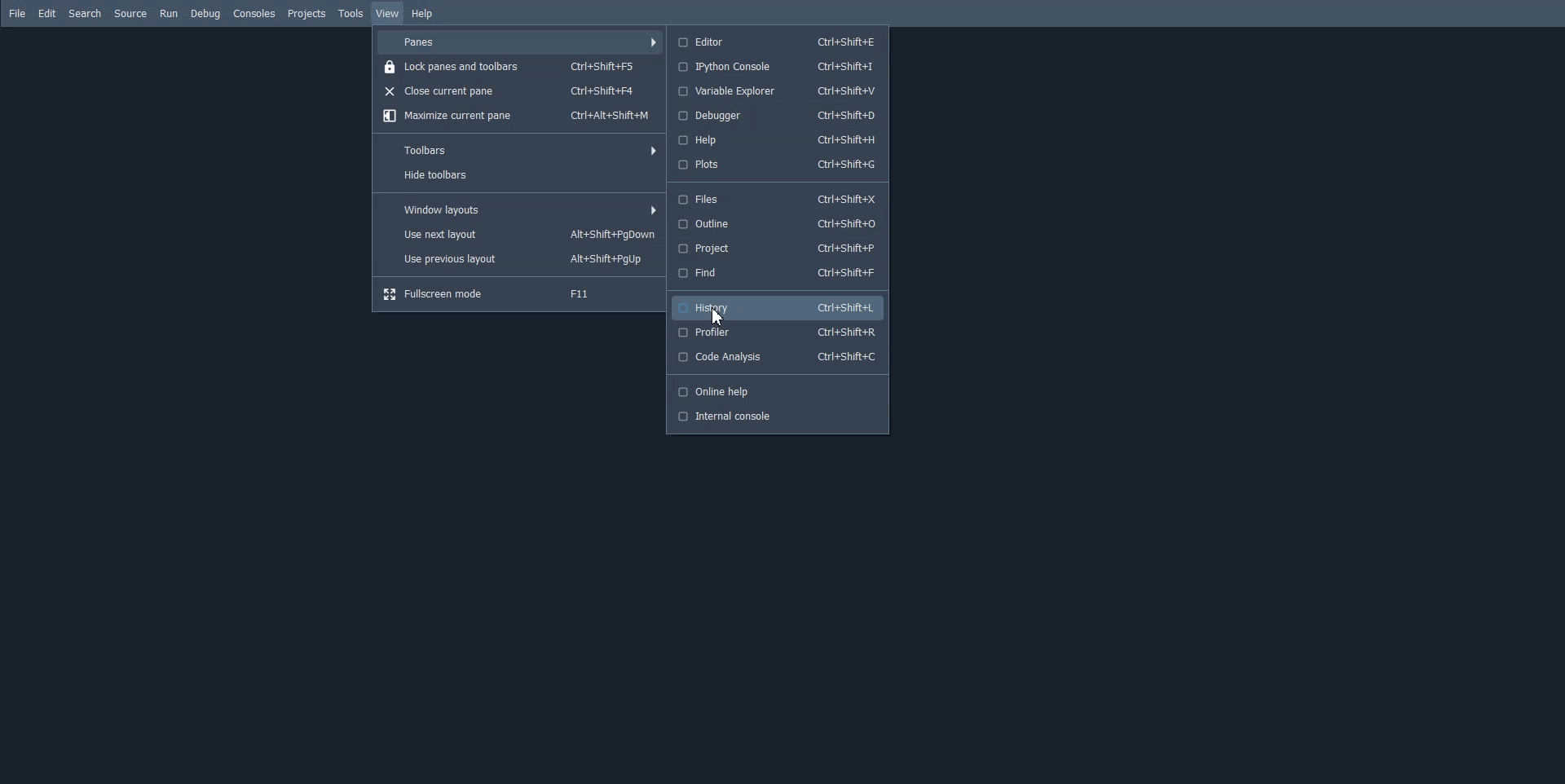 The width and height of the screenshot is (1565, 784). I want to click on Search, so click(85, 13).